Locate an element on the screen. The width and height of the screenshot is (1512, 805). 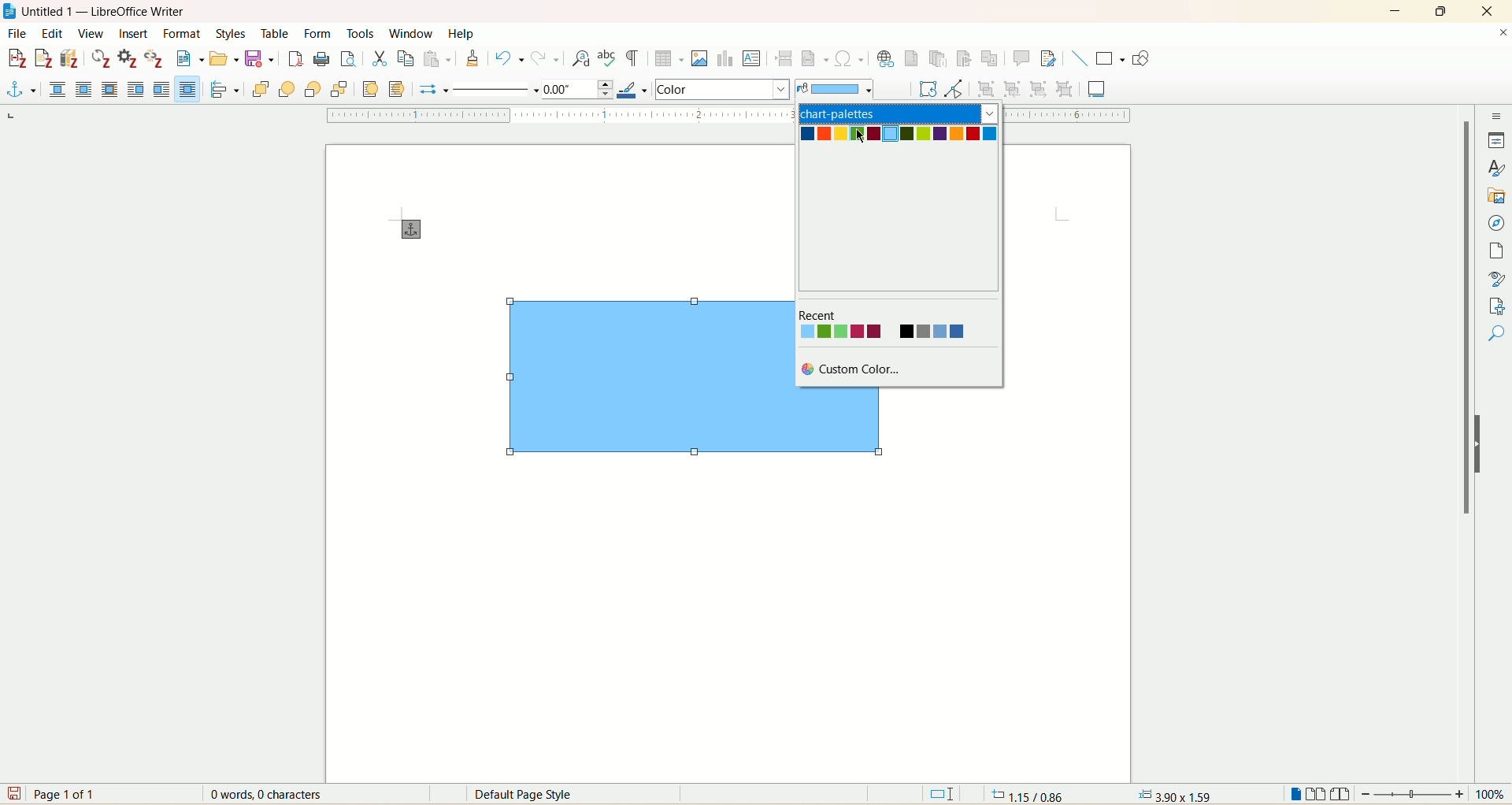
back one is located at coordinates (313, 89).